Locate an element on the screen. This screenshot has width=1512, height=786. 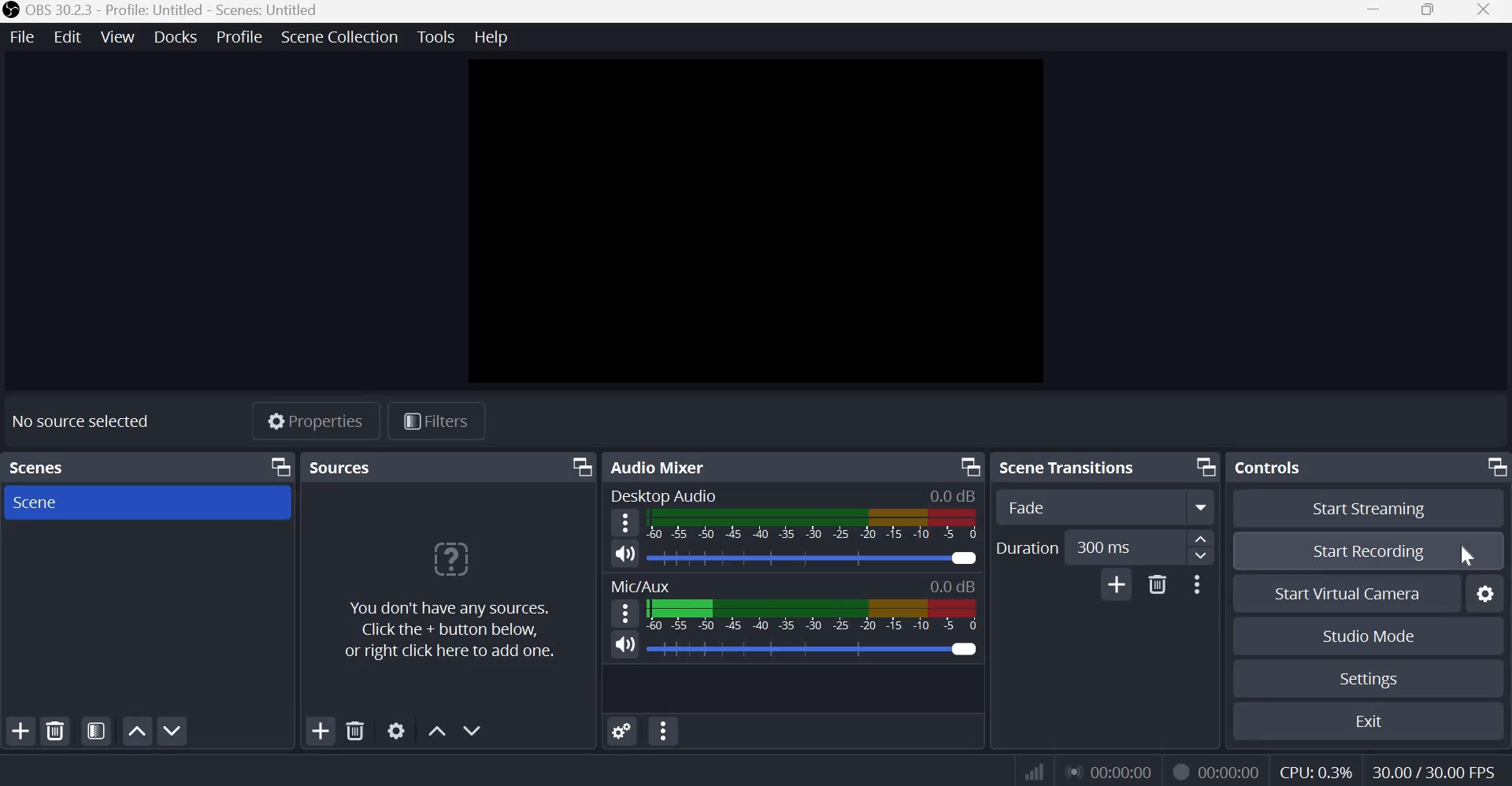
0.0db is located at coordinates (953, 495).